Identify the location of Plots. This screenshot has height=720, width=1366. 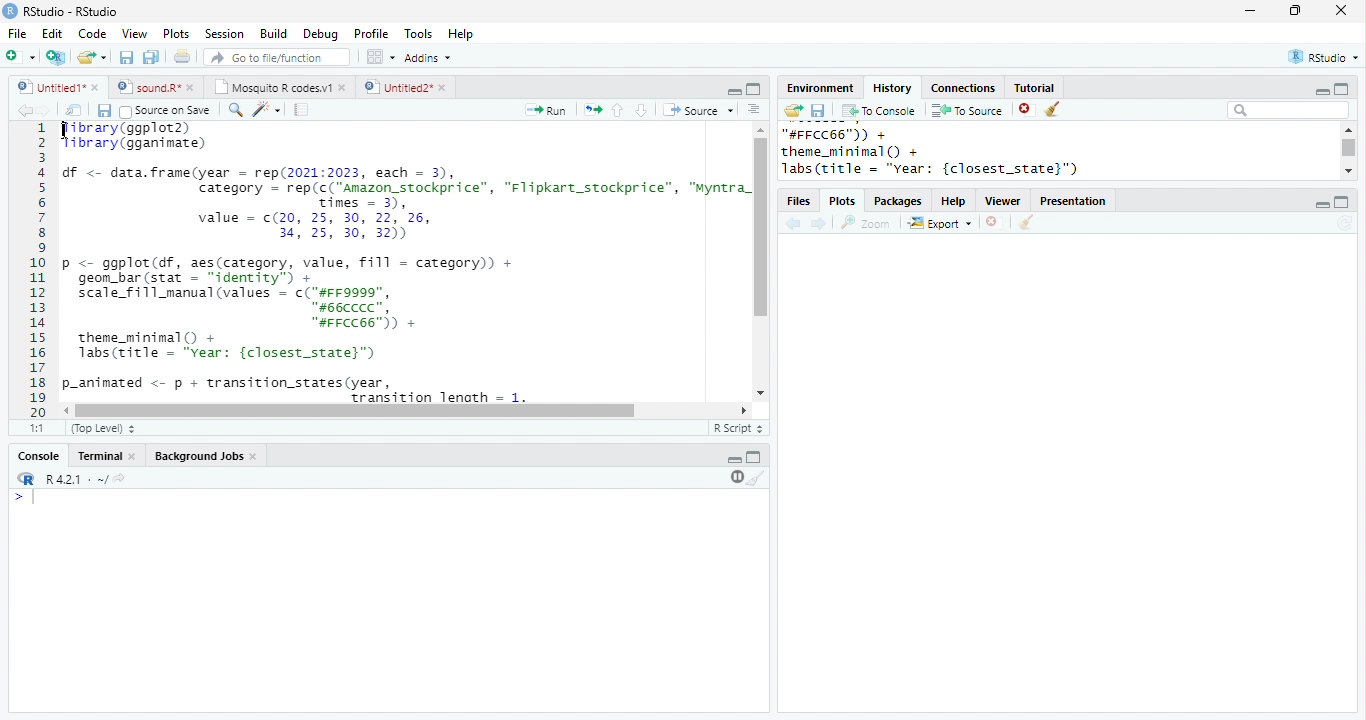
(842, 201).